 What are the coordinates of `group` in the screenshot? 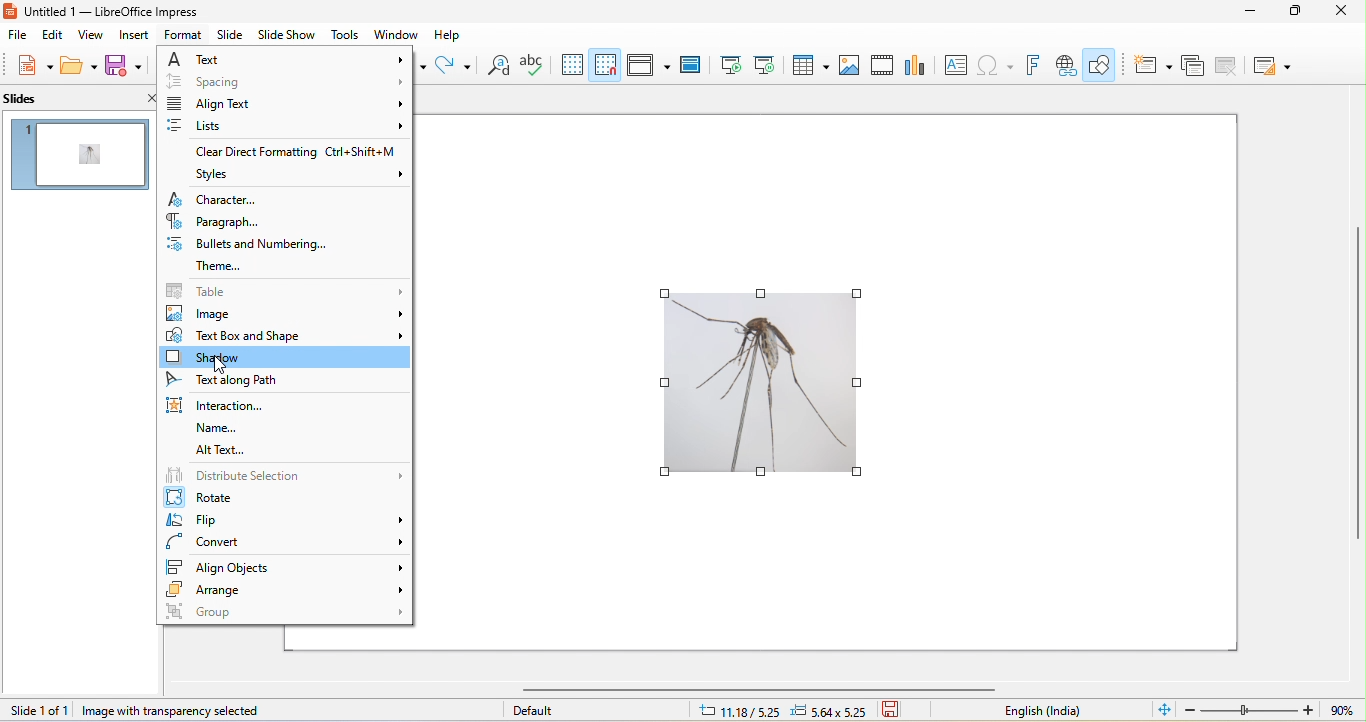 It's located at (284, 612).